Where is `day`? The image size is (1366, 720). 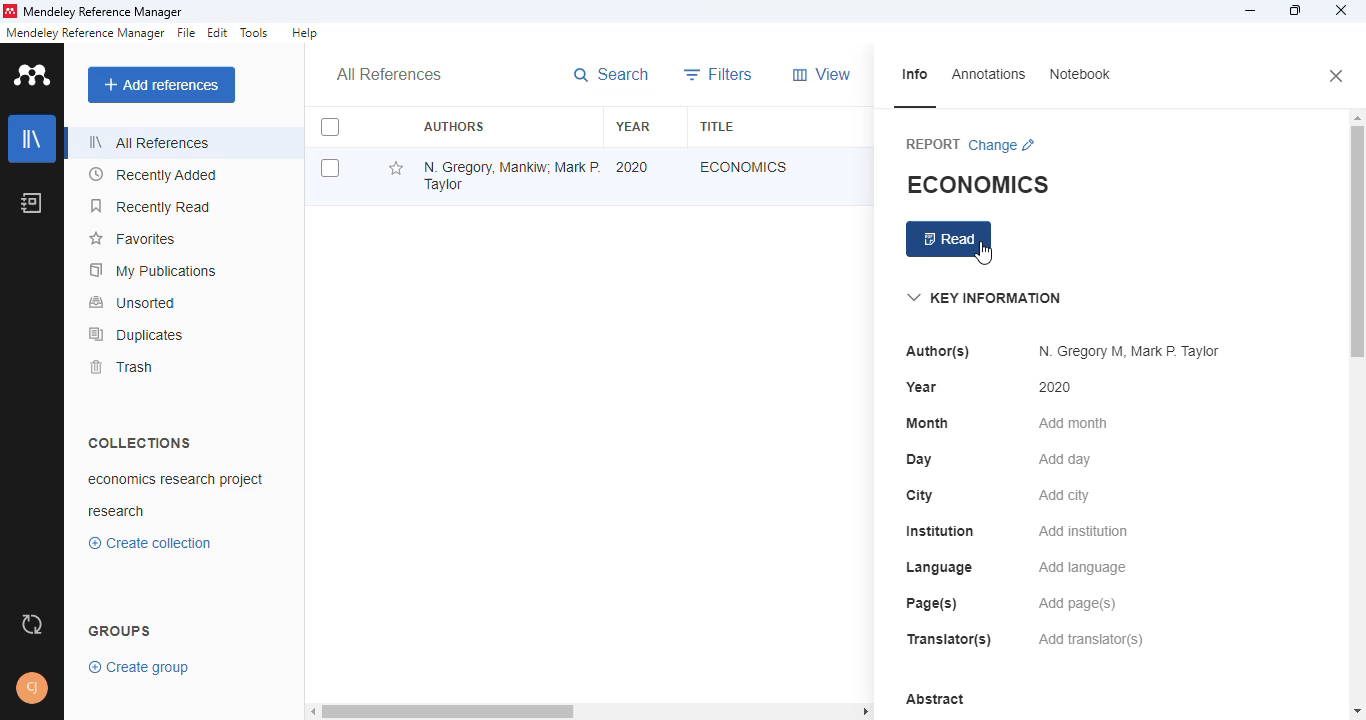 day is located at coordinates (919, 460).